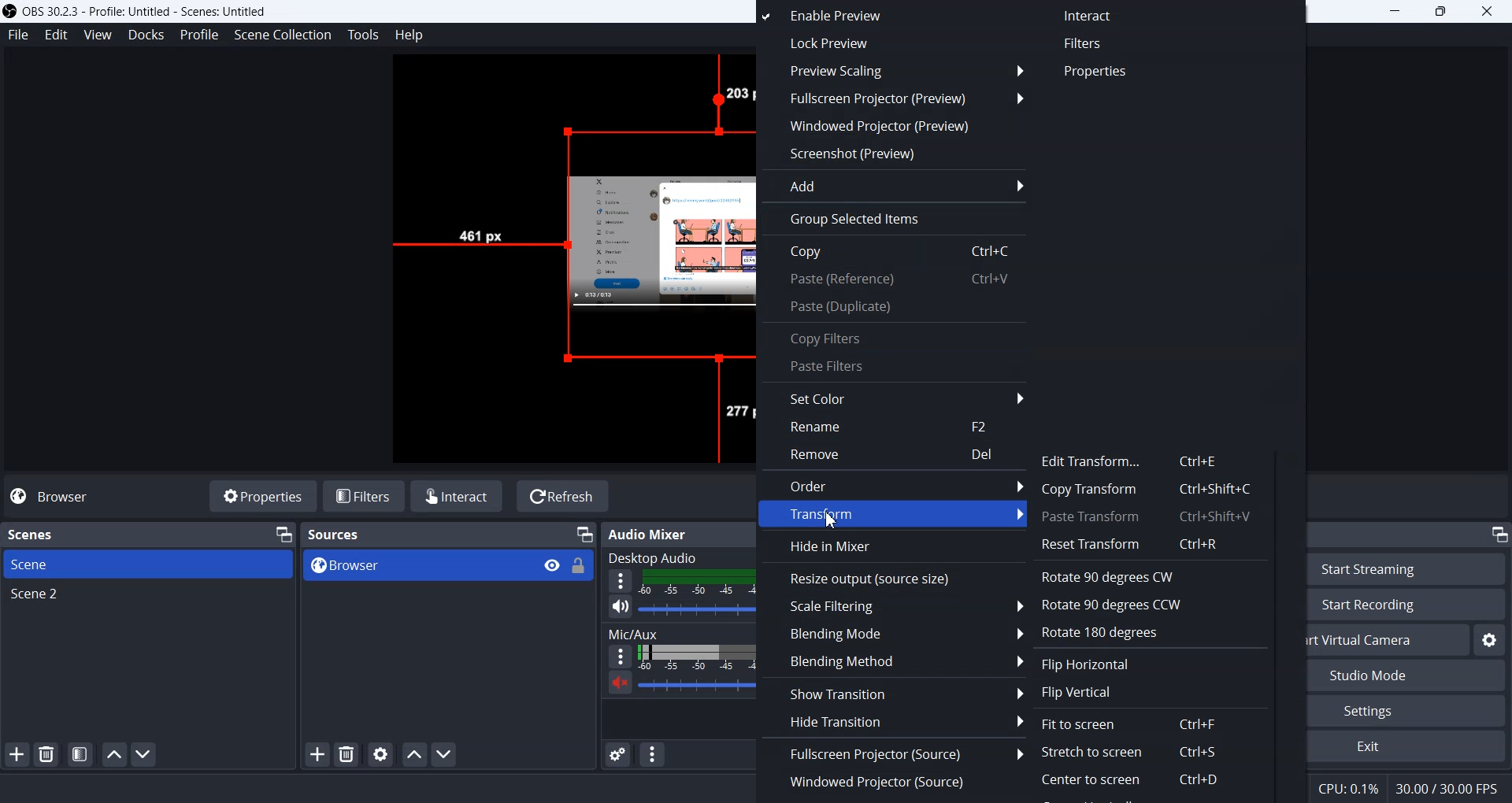  Describe the element at coordinates (895, 128) in the screenshot. I see `Windowed Projector(preview)` at that location.